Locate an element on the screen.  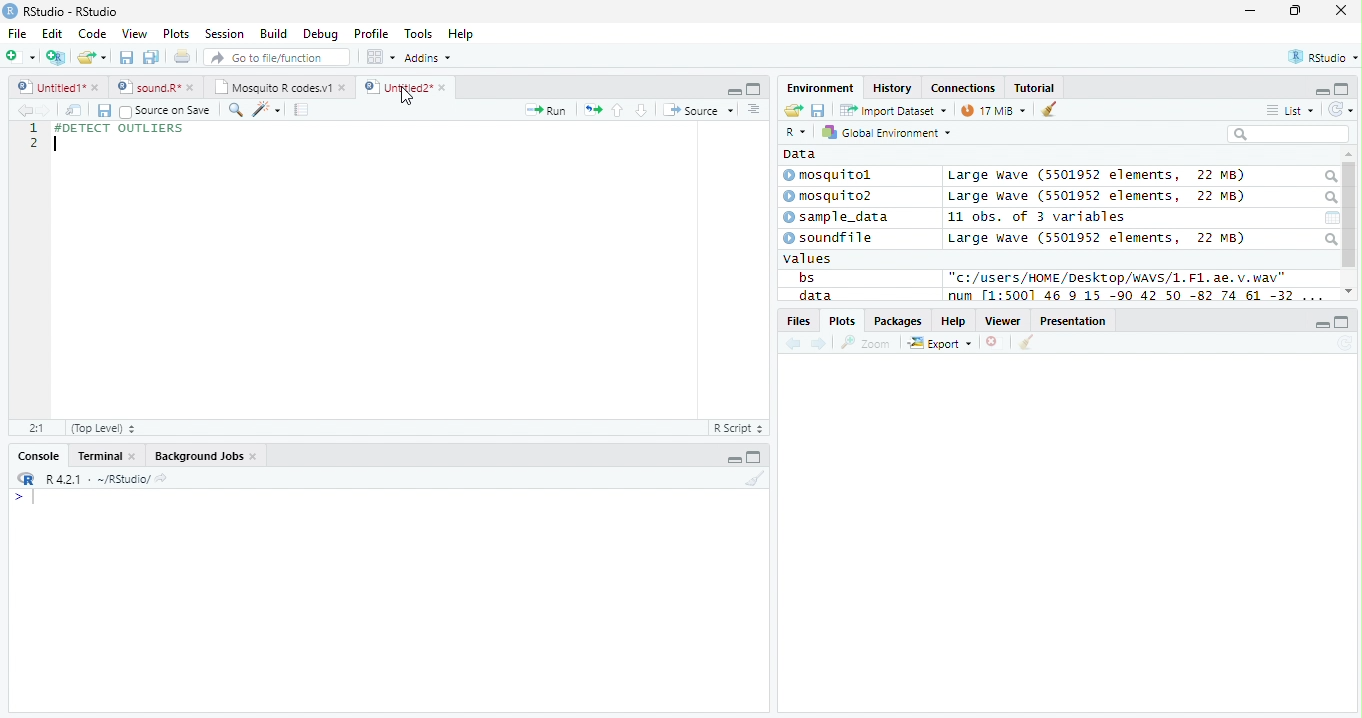
Session is located at coordinates (224, 33).